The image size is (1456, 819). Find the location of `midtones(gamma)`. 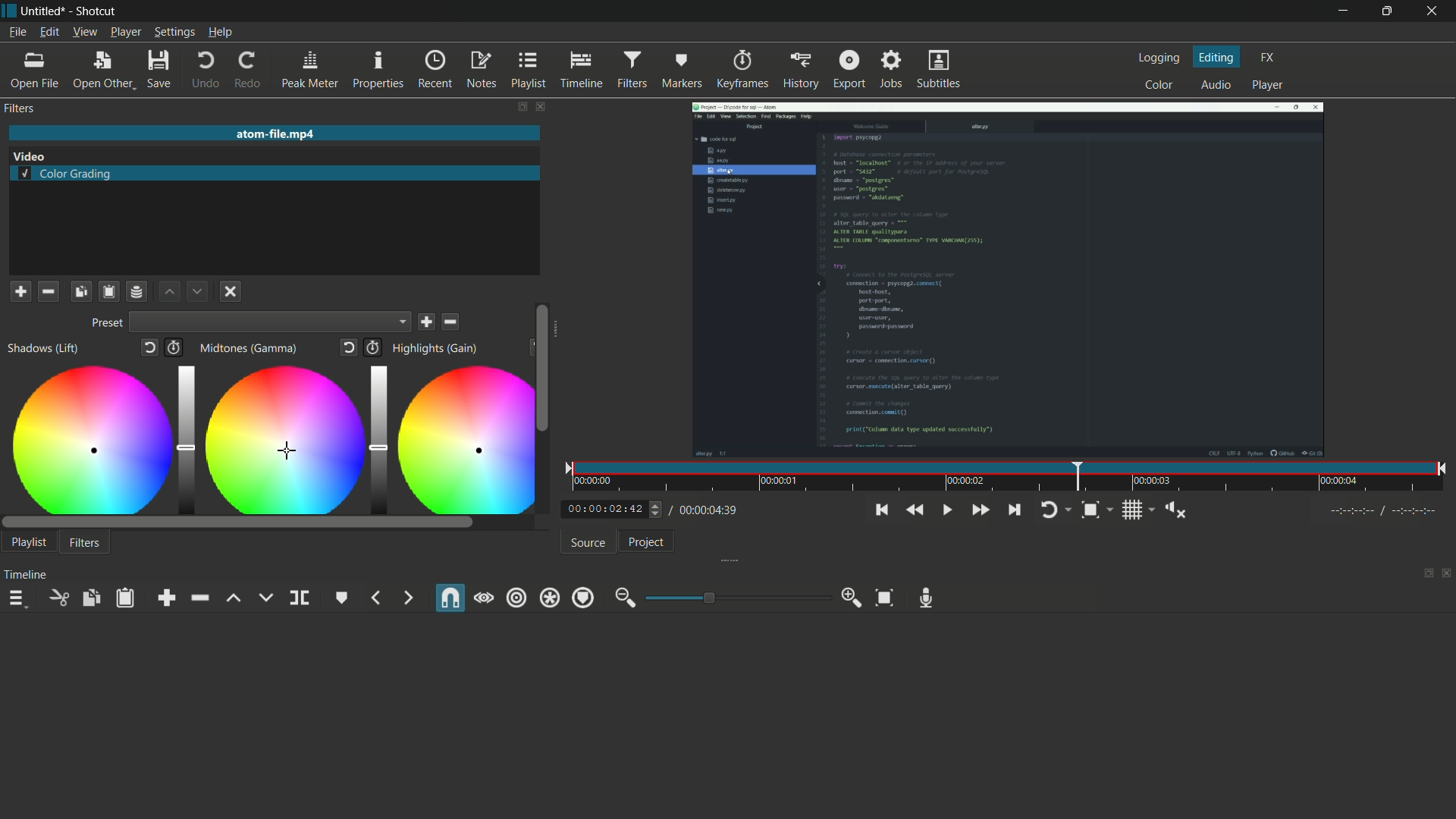

midtones(gamma) is located at coordinates (251, 349).